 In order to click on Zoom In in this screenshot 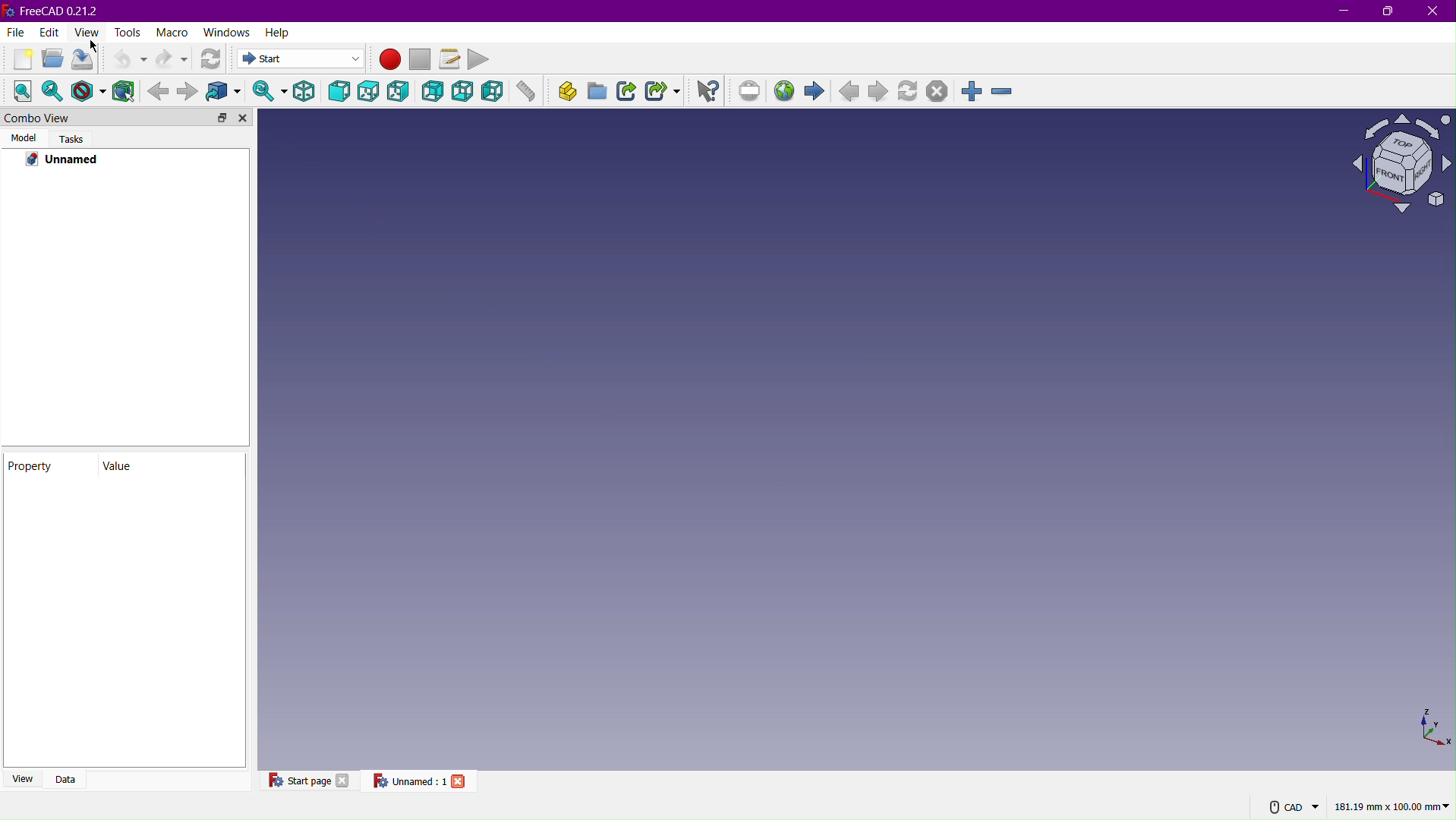, I will do `click(972, 91)`.